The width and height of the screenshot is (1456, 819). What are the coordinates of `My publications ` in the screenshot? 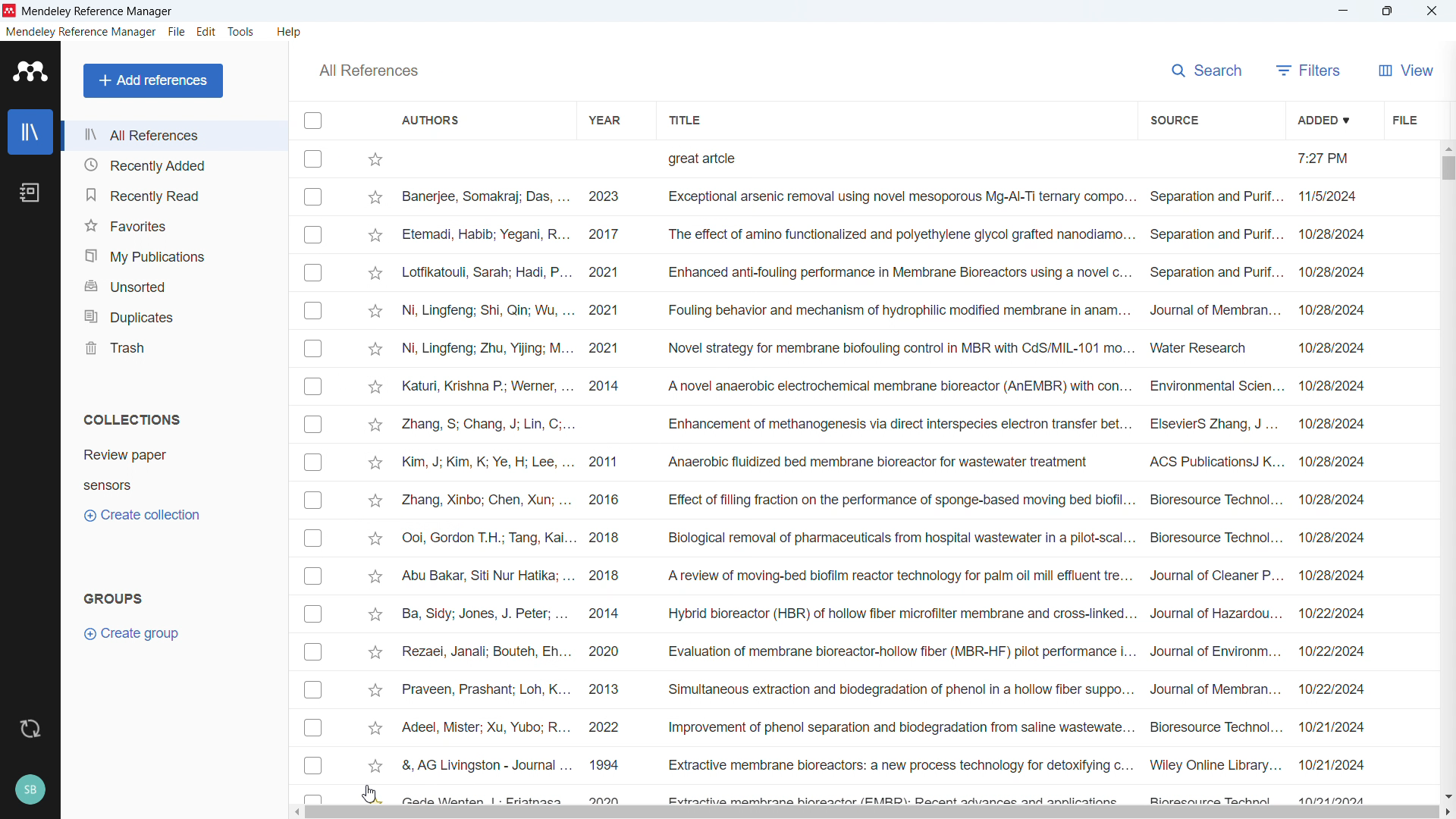 It's located at (172, 256).